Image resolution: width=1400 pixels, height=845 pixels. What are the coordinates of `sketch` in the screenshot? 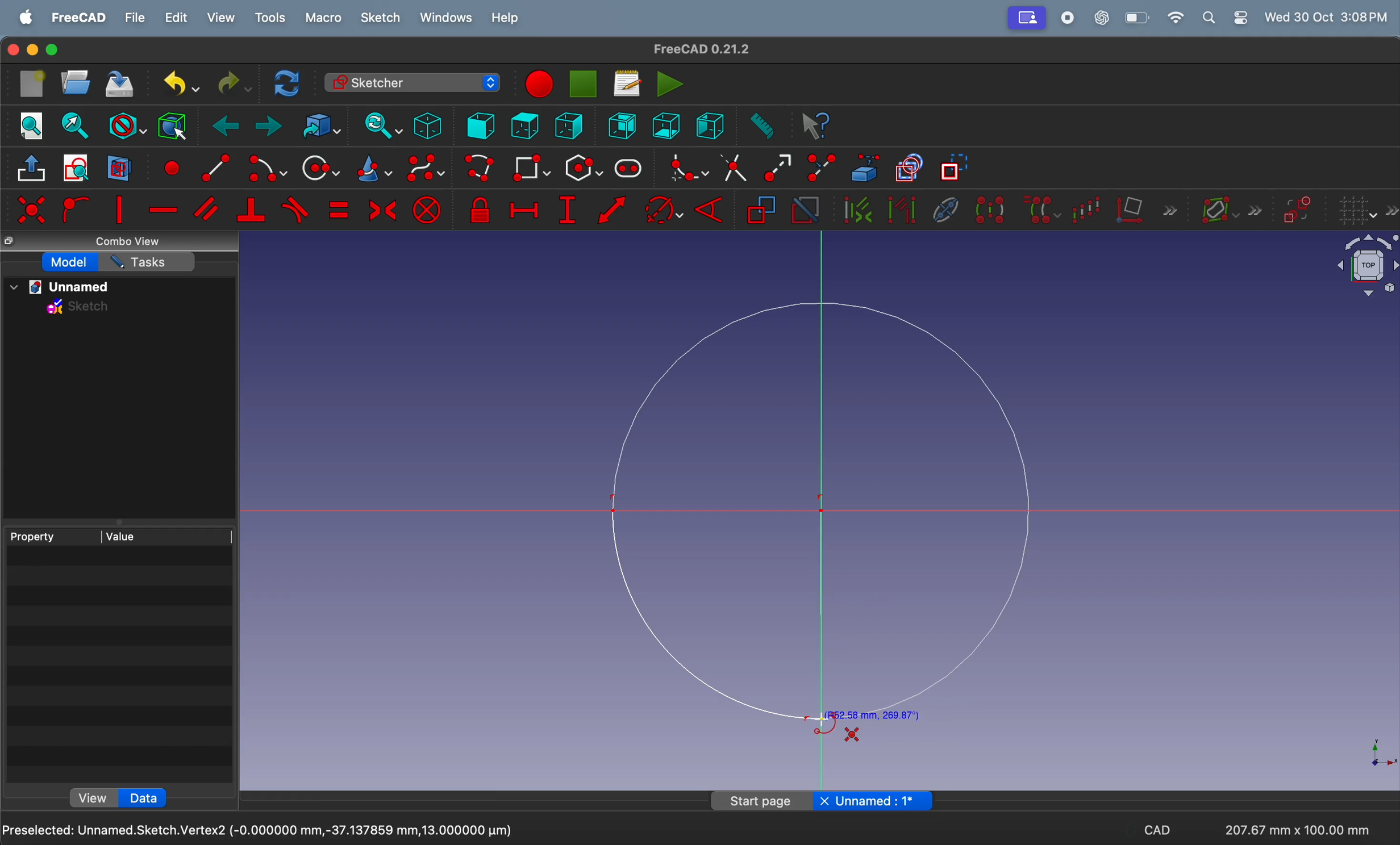 It's located at (79, 309).